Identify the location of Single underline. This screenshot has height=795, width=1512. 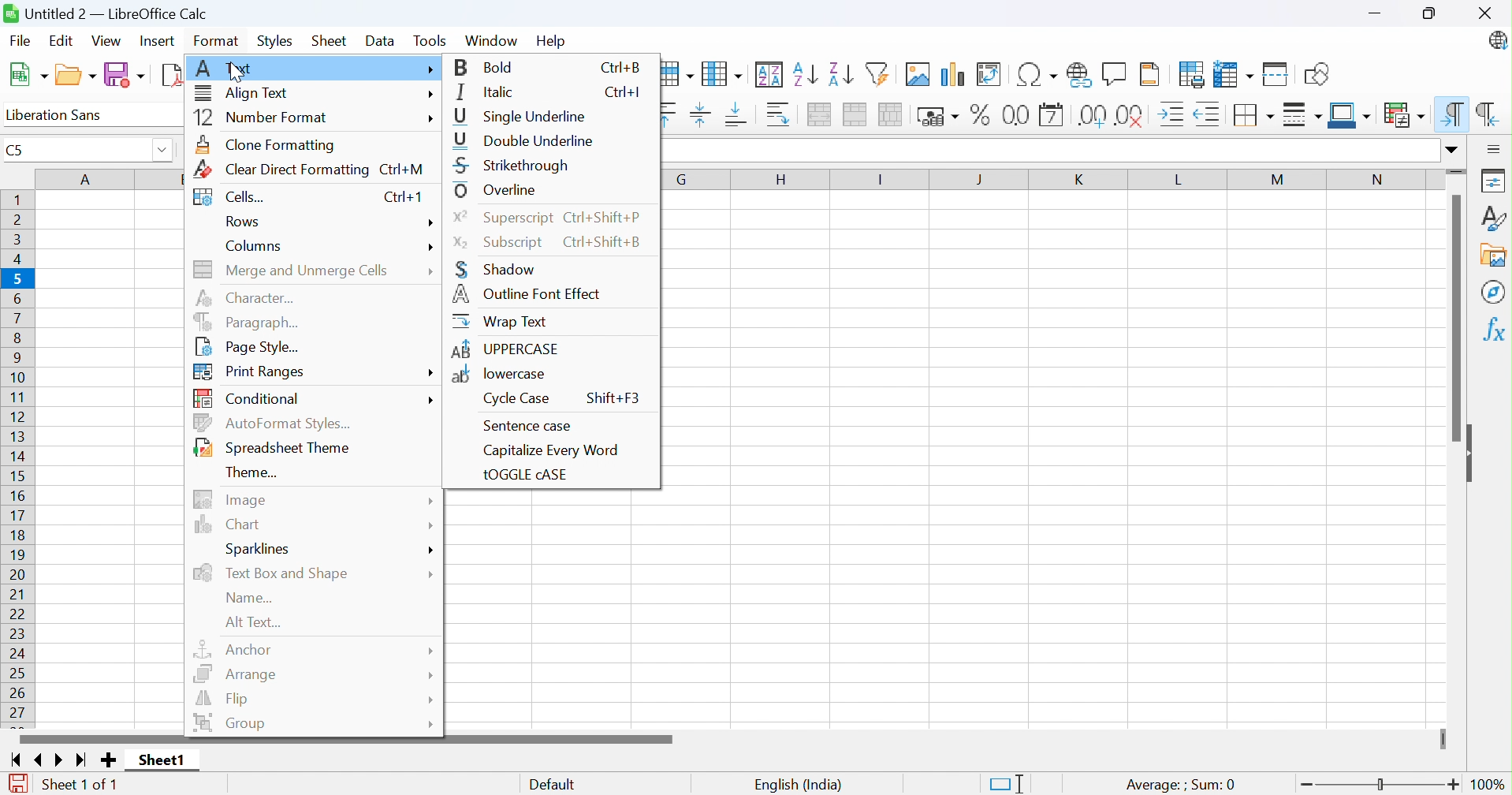
(522, 114).